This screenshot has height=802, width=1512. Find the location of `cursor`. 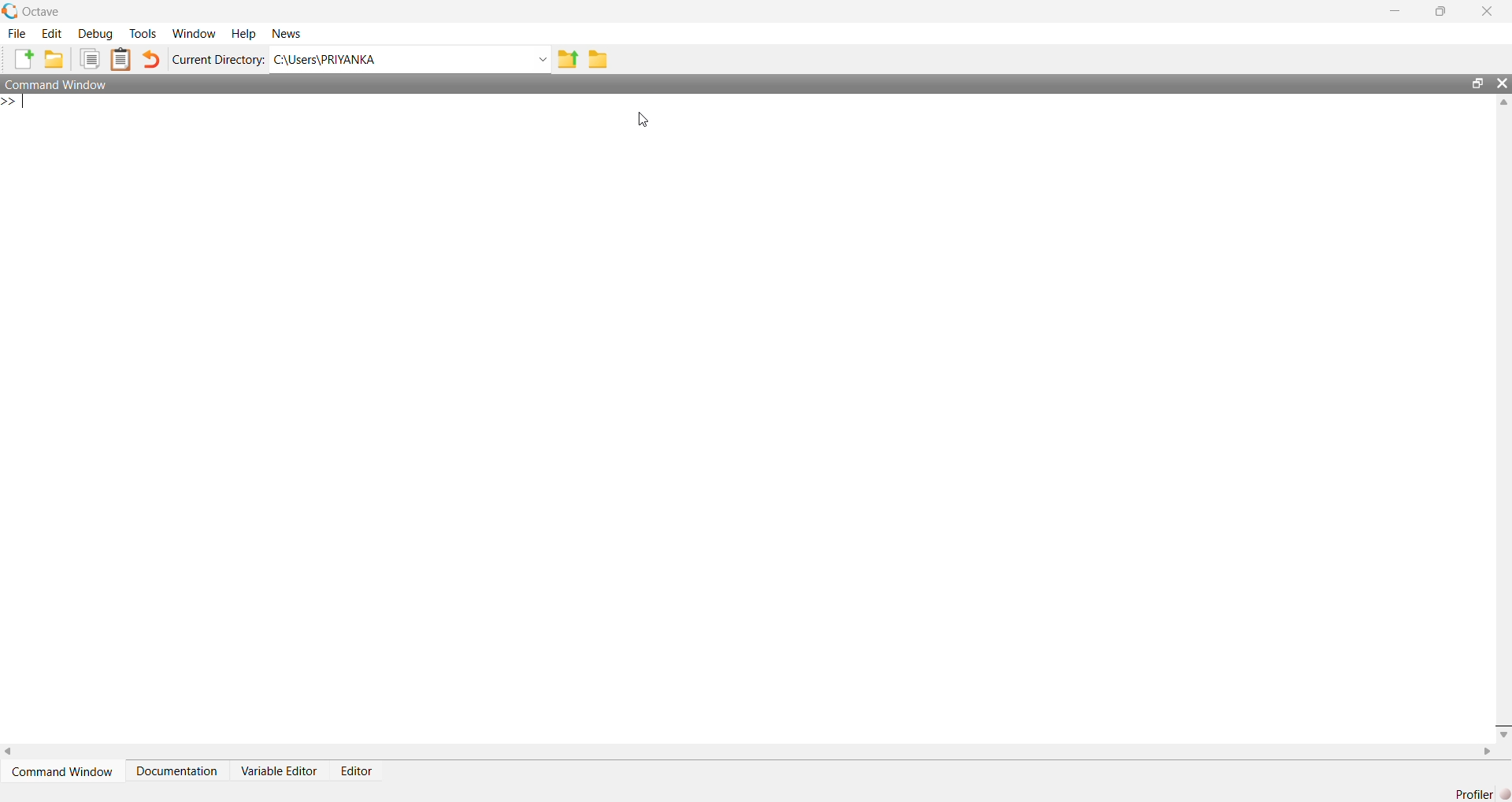

cursor is located at coordinates (642, 120).